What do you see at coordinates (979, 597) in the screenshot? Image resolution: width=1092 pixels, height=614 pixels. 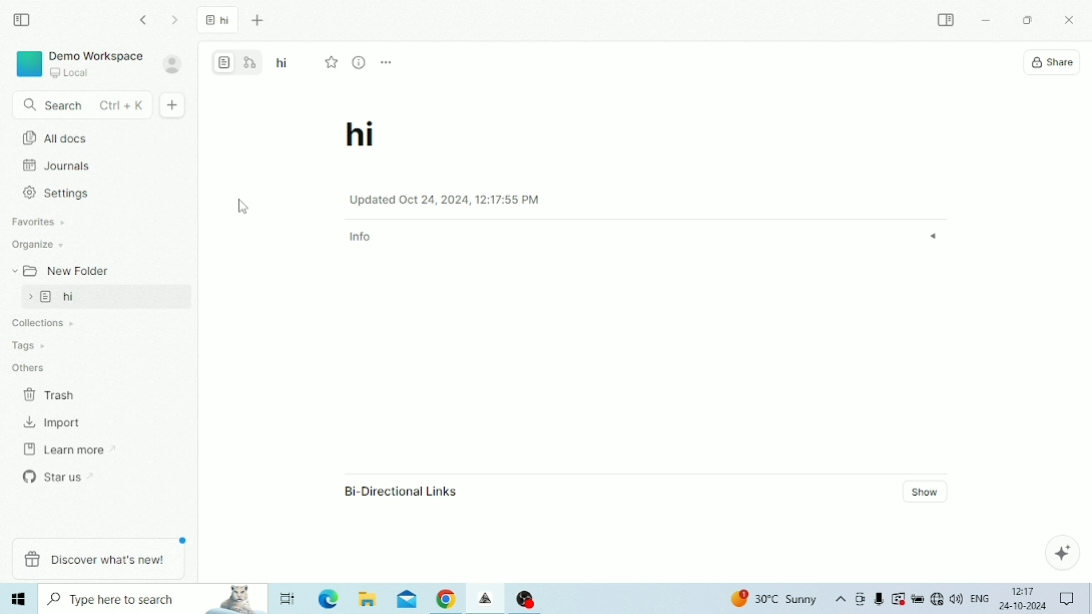 I see `Language` at bounding box center [979, 597].